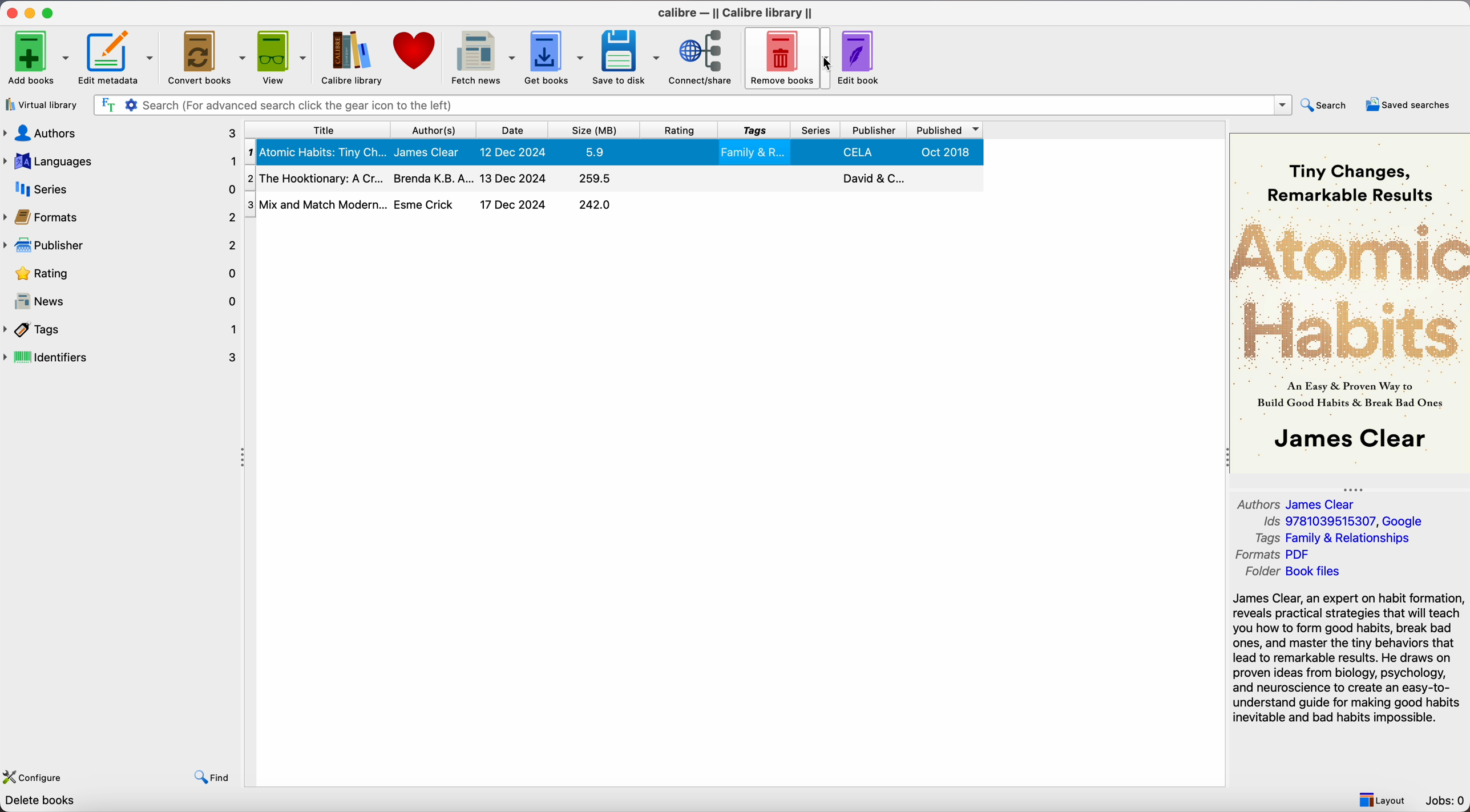 This screenshot has width=1470, height=812. Describe the element at coordinates (350, 56) in the screenshot. I see `Calibre library` at that location.